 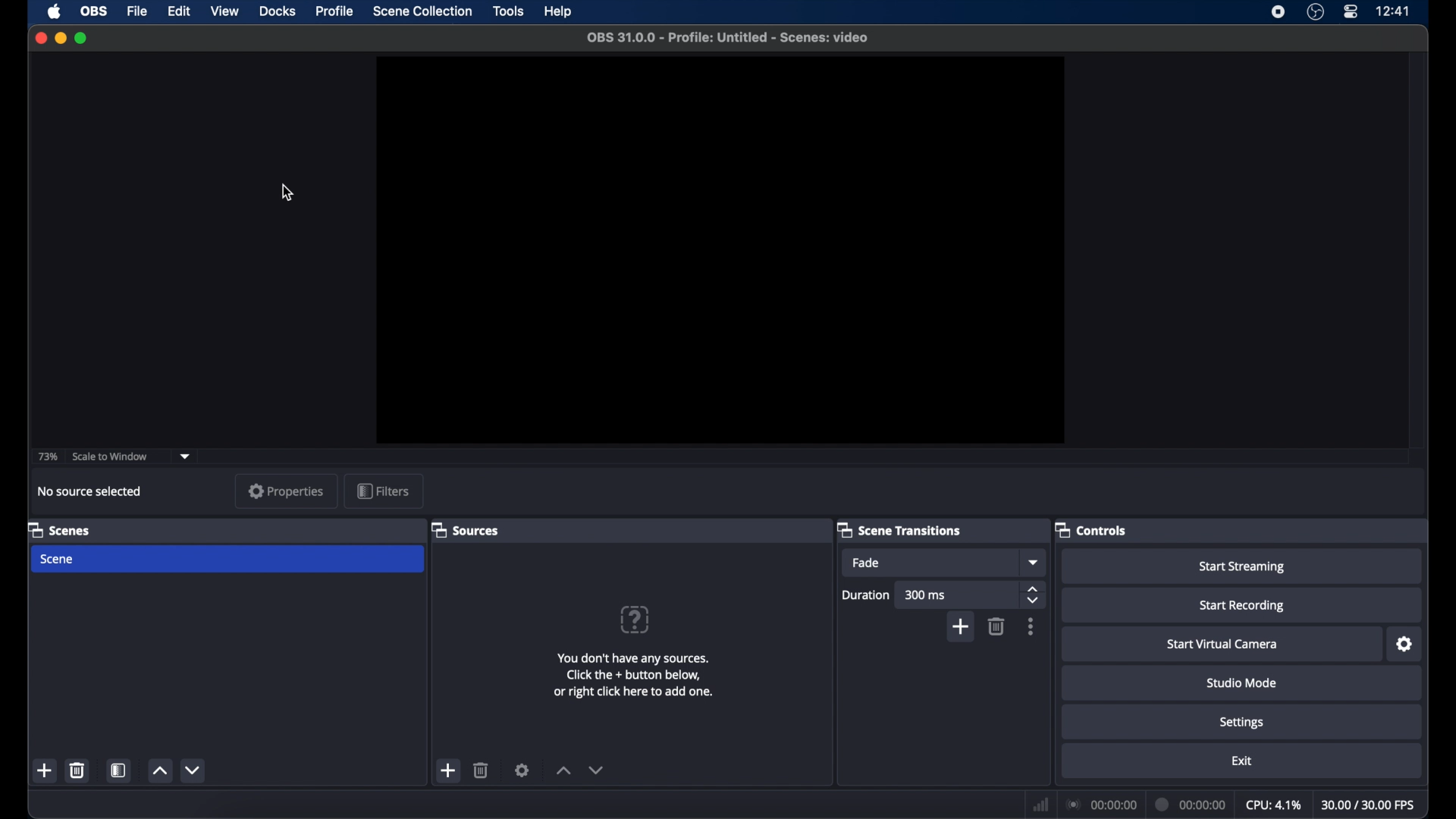 What do you see at coordinates (224, 11) in the screenshot?
I see `view` at bounding box center [224, 11].